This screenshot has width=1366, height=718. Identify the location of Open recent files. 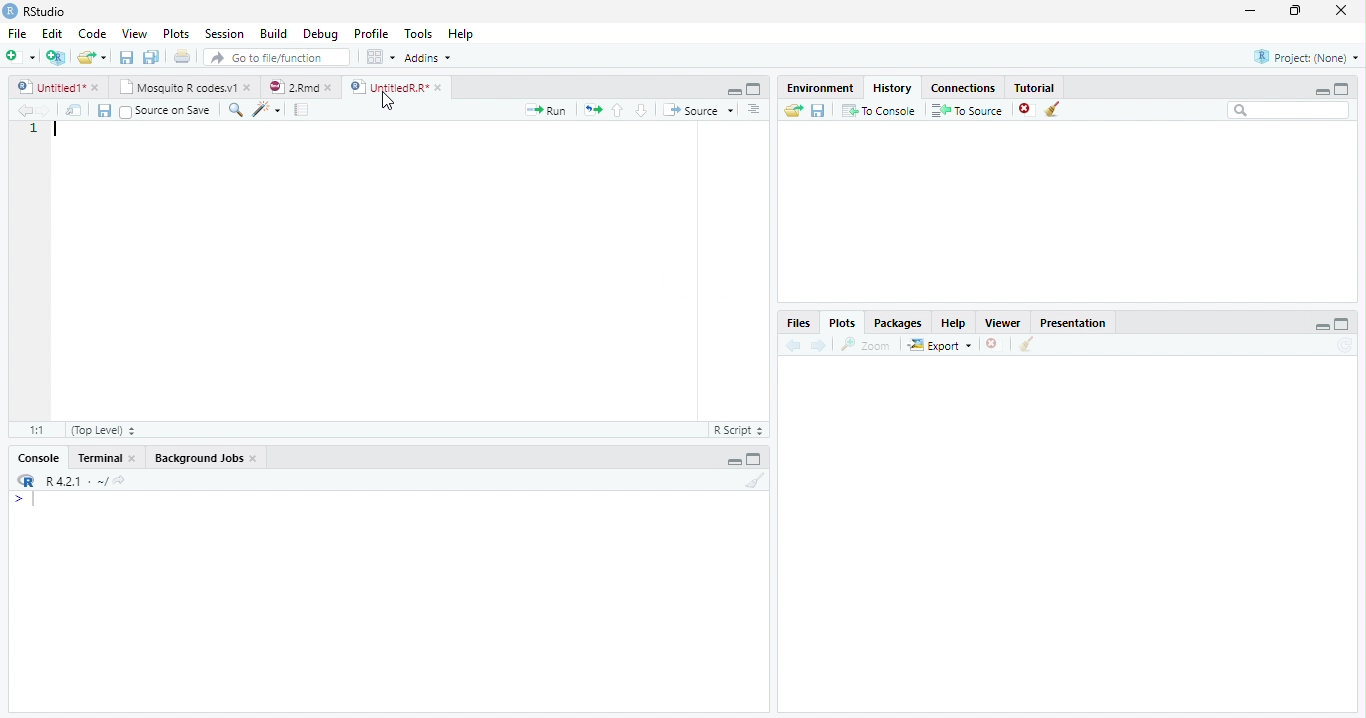
(104, 57).